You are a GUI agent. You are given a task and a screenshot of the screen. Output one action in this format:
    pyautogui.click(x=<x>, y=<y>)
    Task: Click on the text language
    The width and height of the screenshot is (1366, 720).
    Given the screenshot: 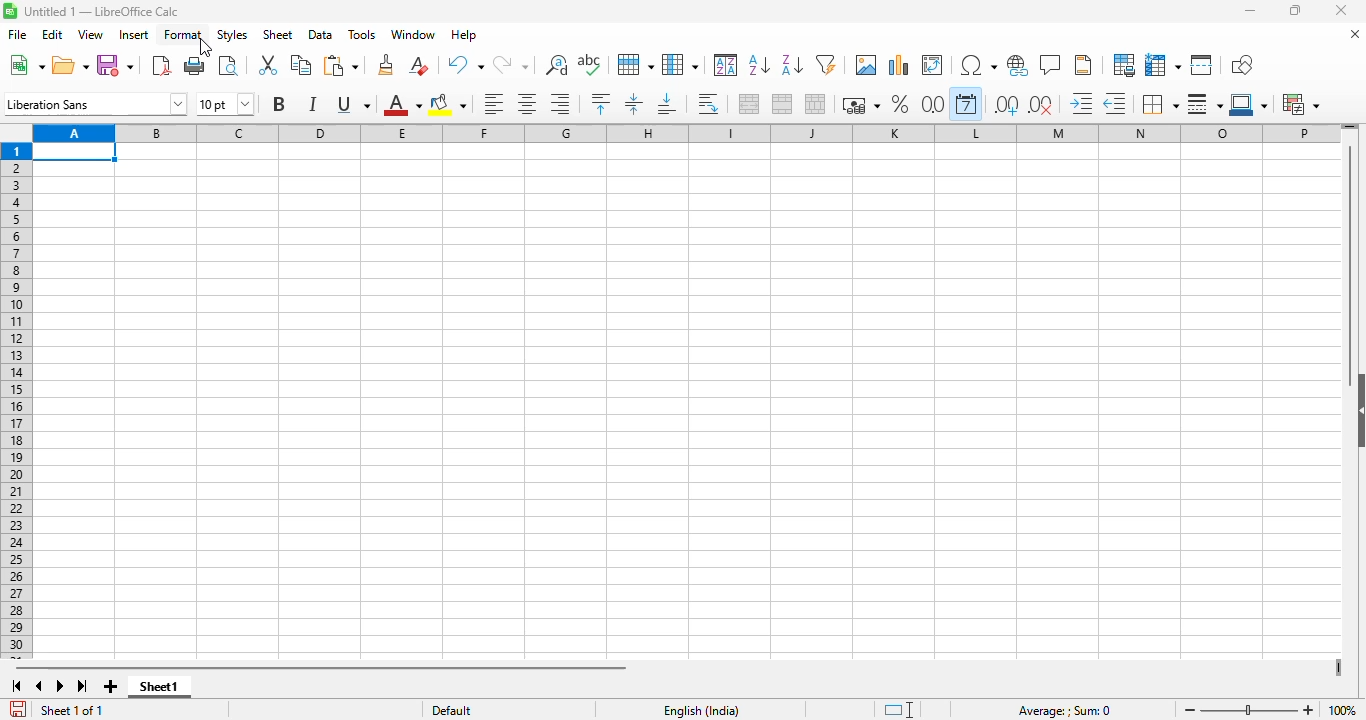 What is the action you would take?
    pyautogui.click(x=702, y=711)
    